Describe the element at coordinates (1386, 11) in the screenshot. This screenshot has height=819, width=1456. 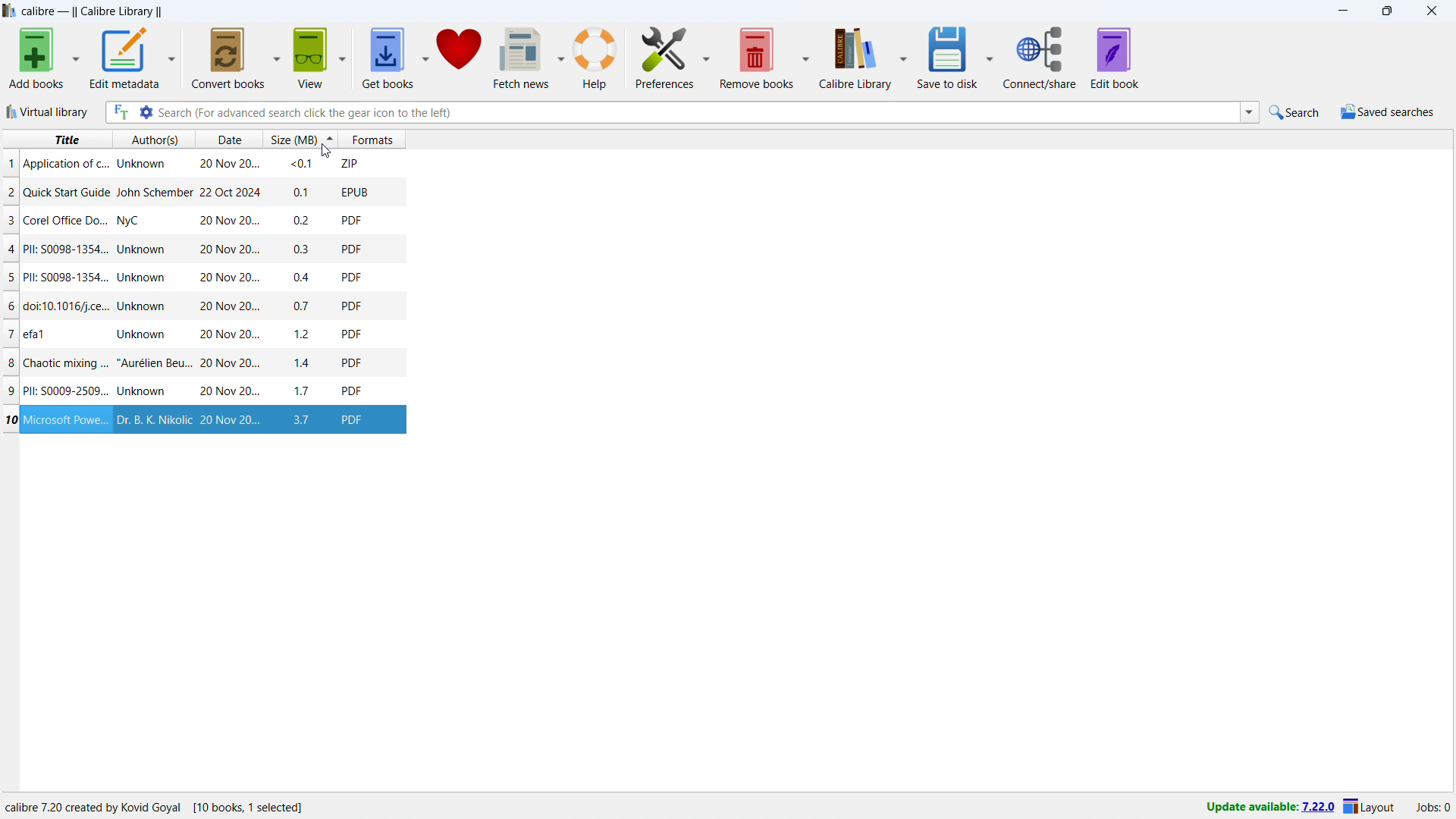
I see `maximize` at that location.